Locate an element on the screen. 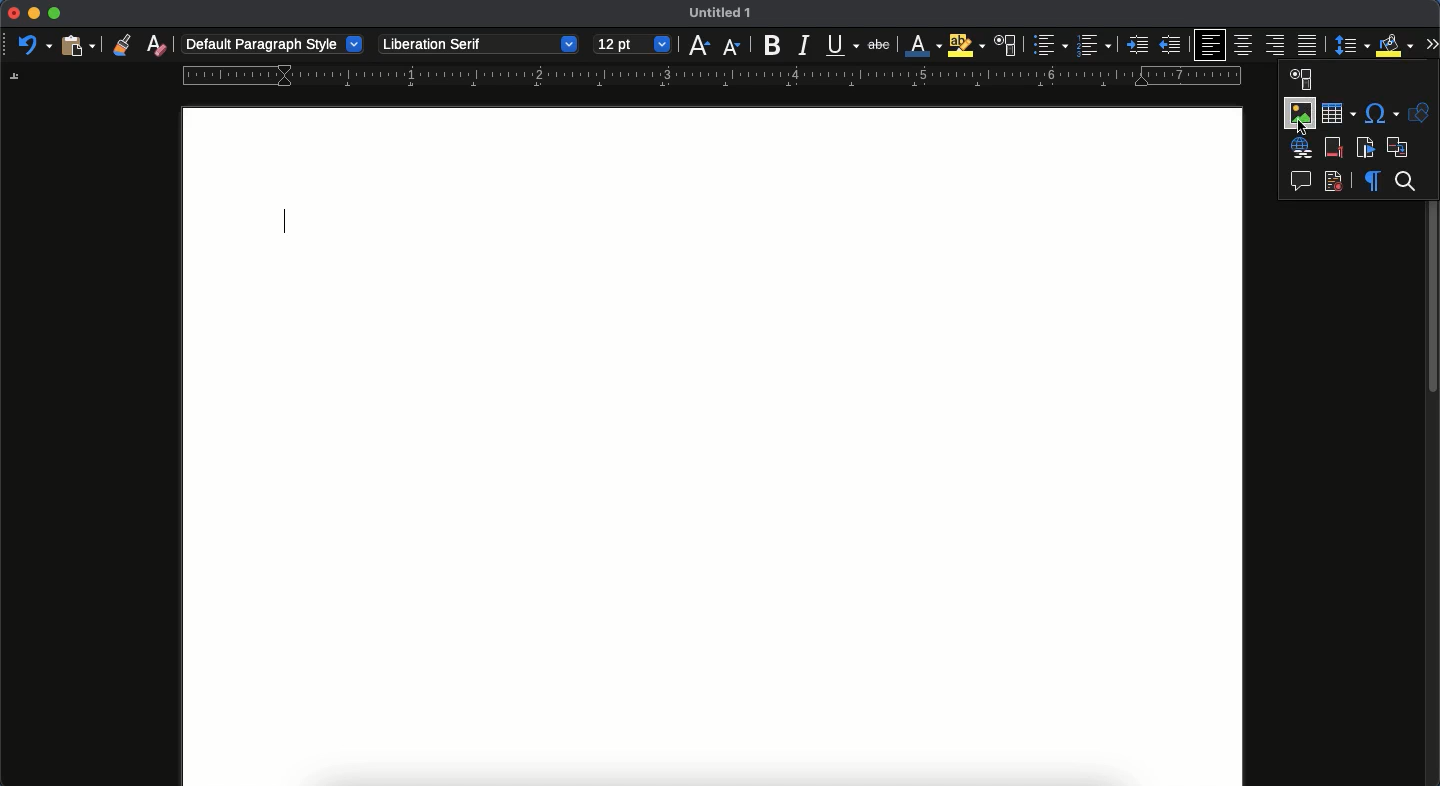 Image resolution: width=1440 pixels, height=786 pixels. strikethrough is located at coordinates (879, 44).